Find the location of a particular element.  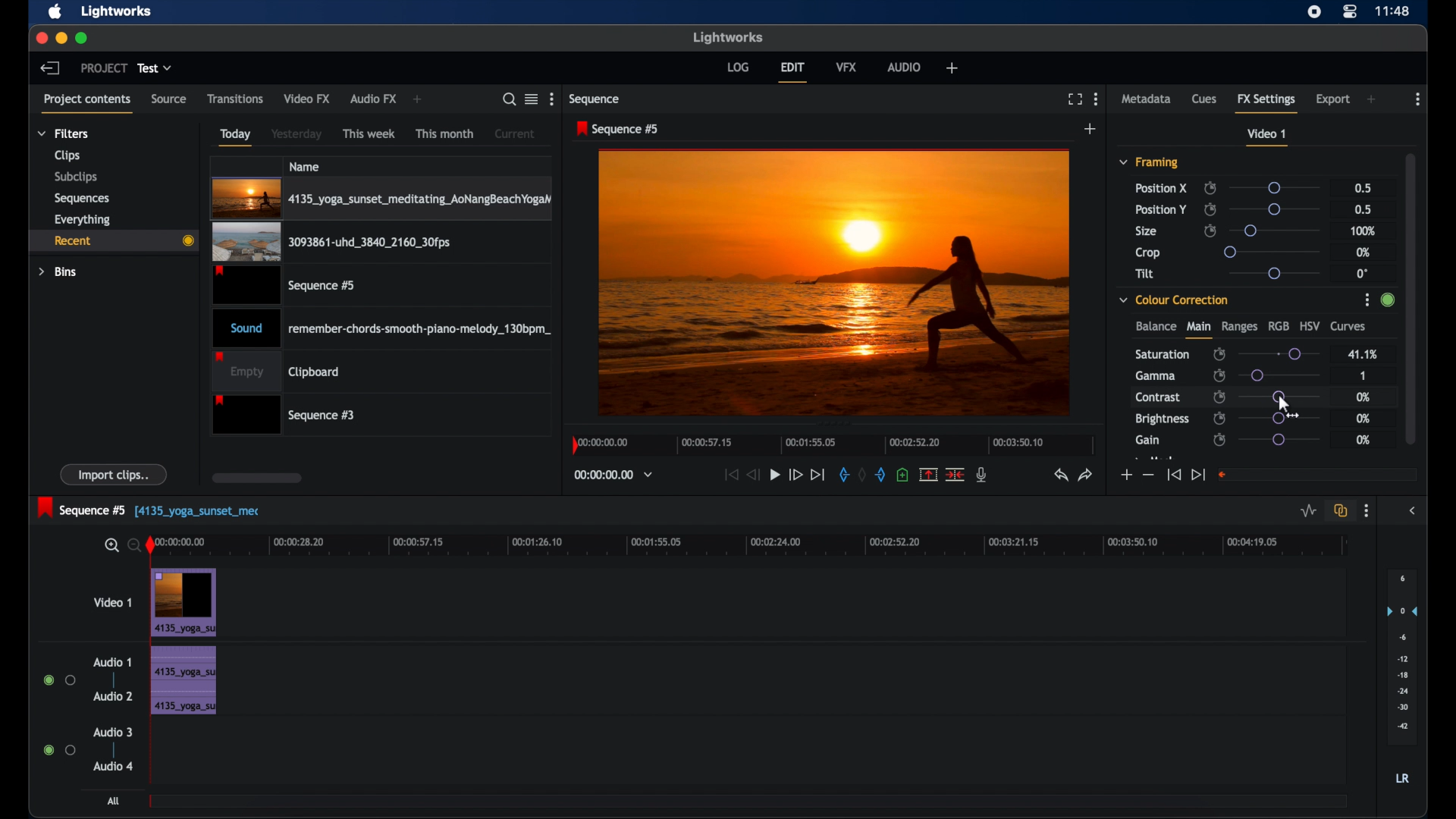

export is located at coordinates (1333, 99).